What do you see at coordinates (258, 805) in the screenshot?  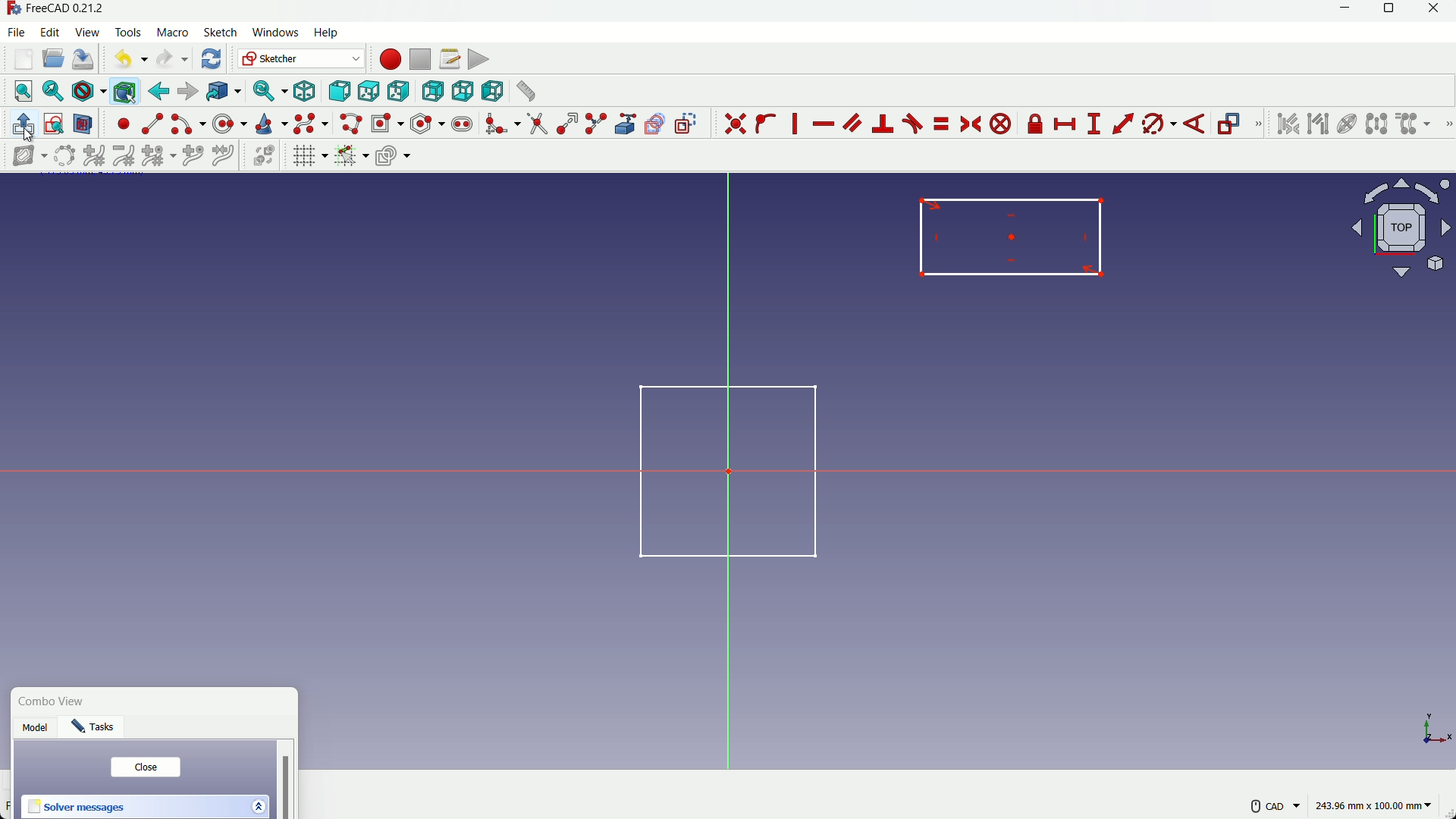 I see `Expand` at bounding box center [258, 805].